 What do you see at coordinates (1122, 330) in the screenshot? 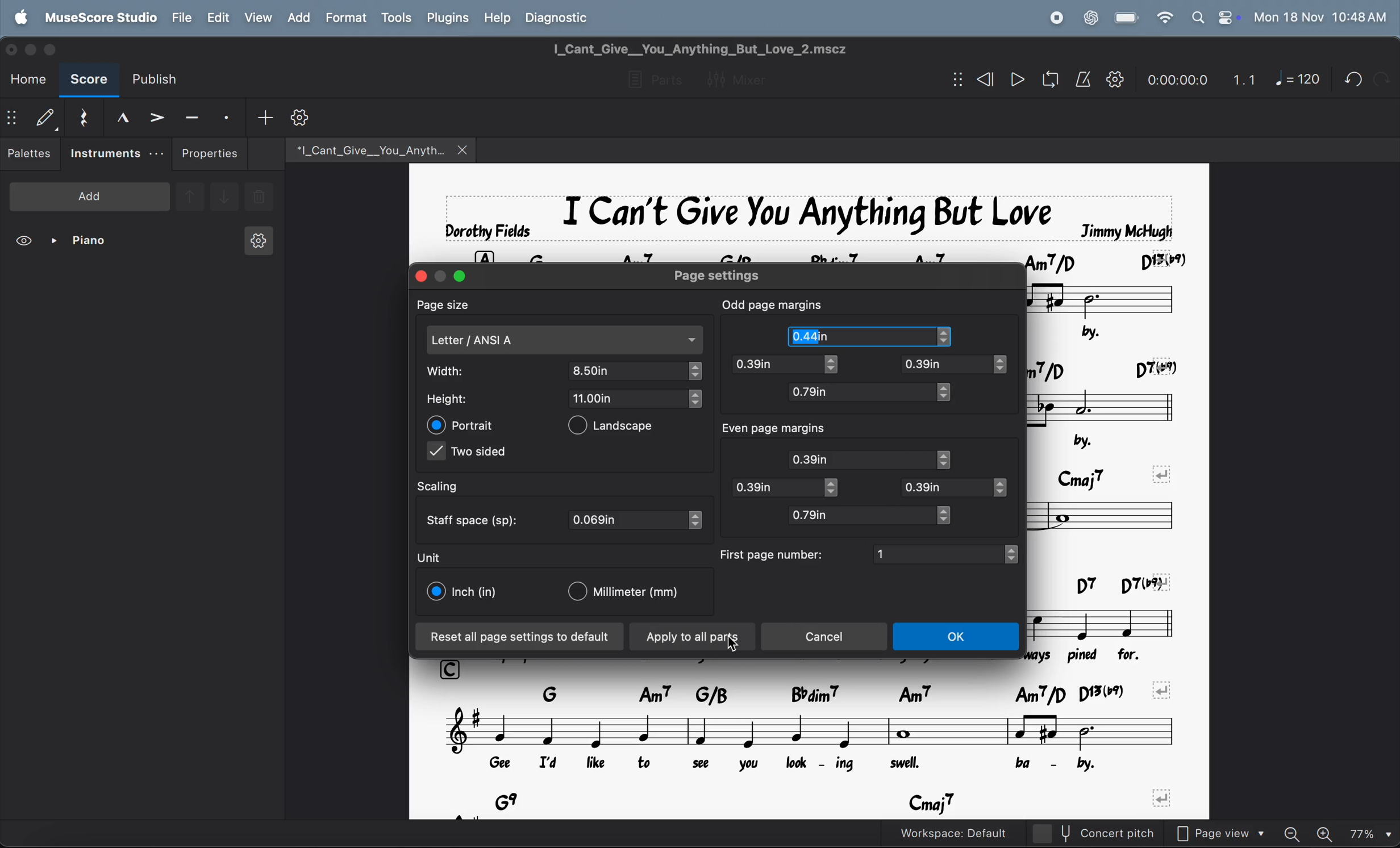
I see `lyrics` at bounding box center [1122, 330].